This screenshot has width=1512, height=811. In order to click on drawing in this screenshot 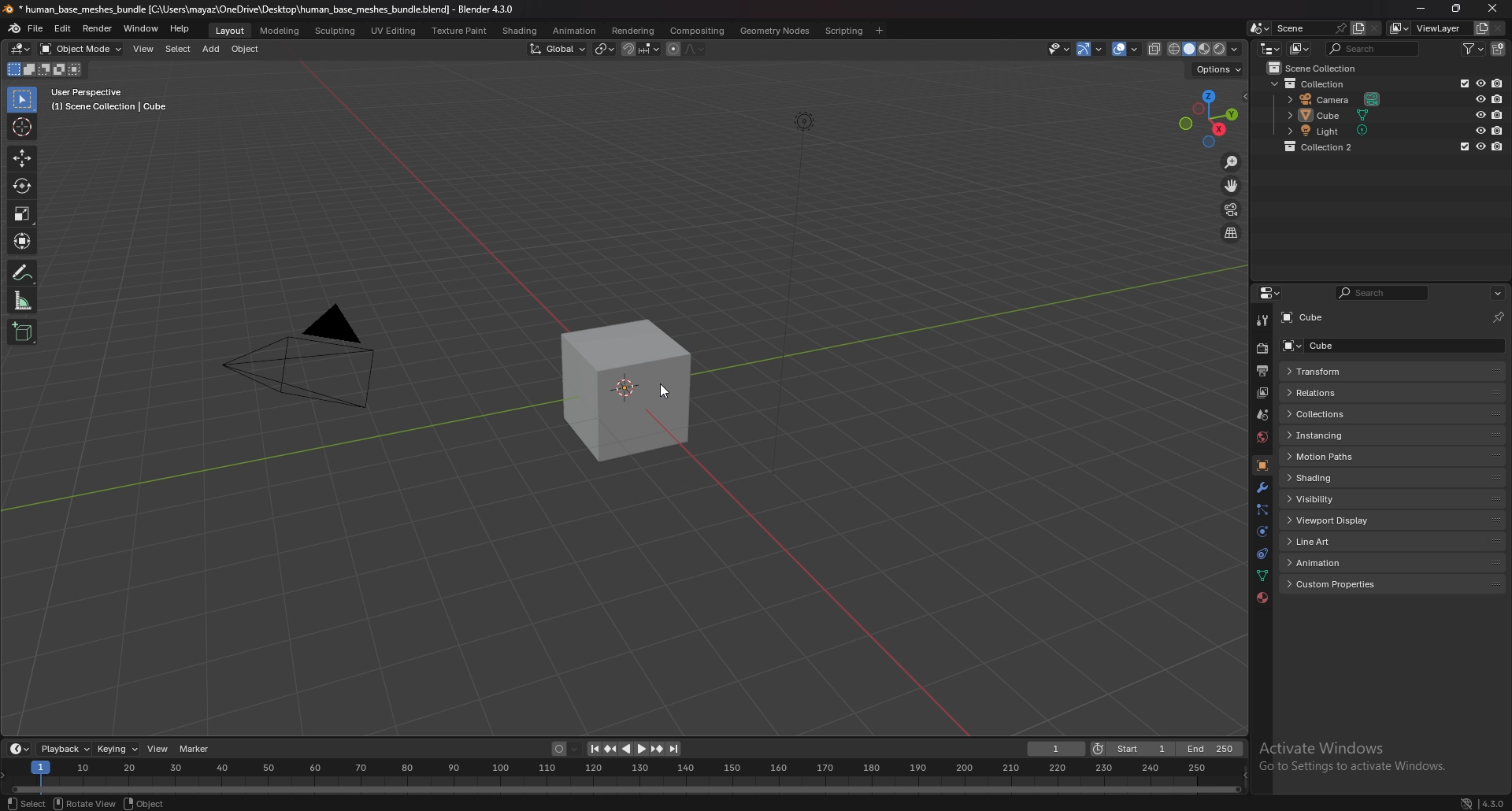, I will do `click(634, 395)`.